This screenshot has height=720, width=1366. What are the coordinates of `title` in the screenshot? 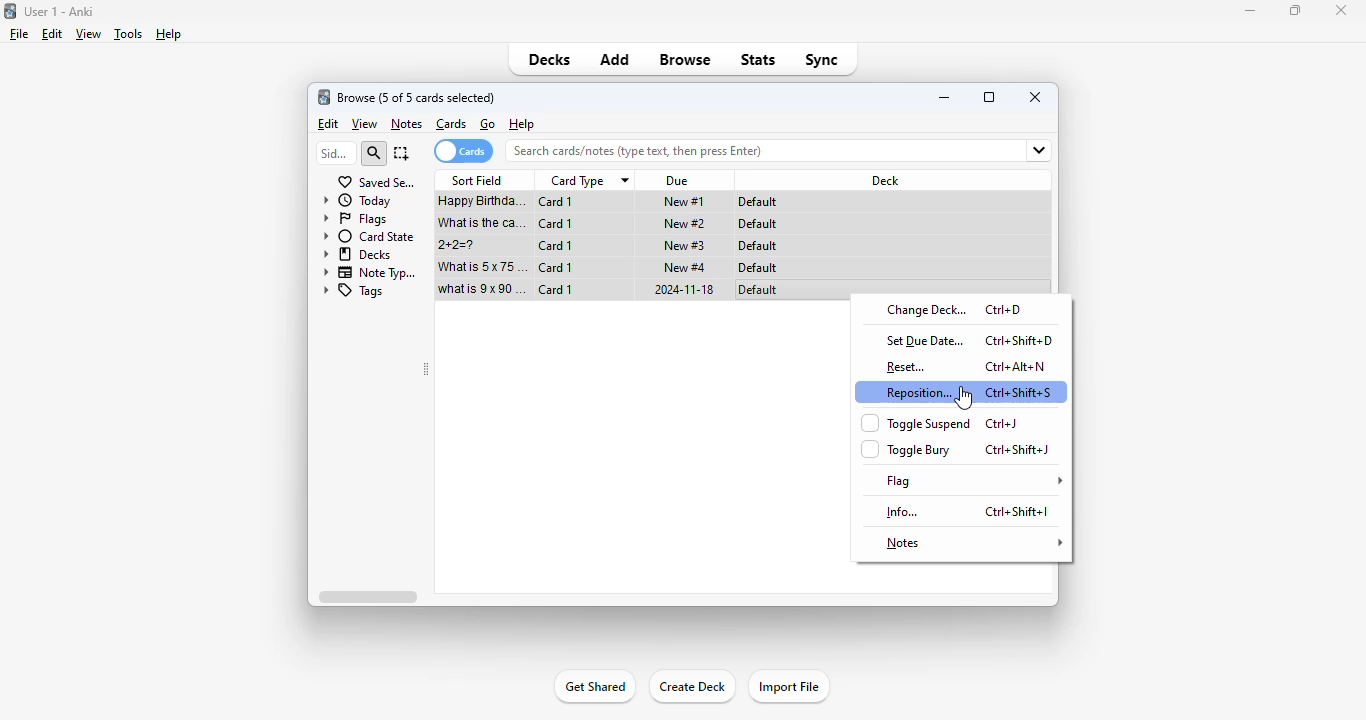 It's located at (58, 12).